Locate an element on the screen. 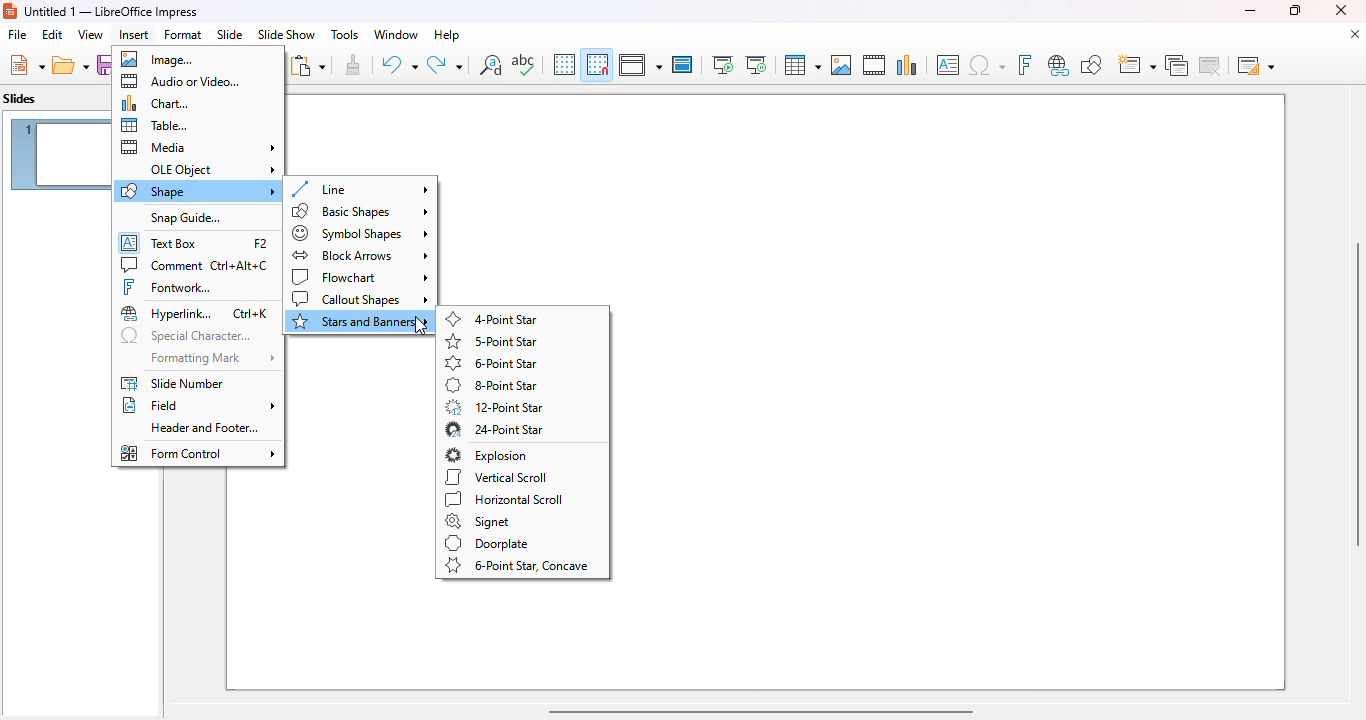  vertical scroll is located at coordinates (495, 477).